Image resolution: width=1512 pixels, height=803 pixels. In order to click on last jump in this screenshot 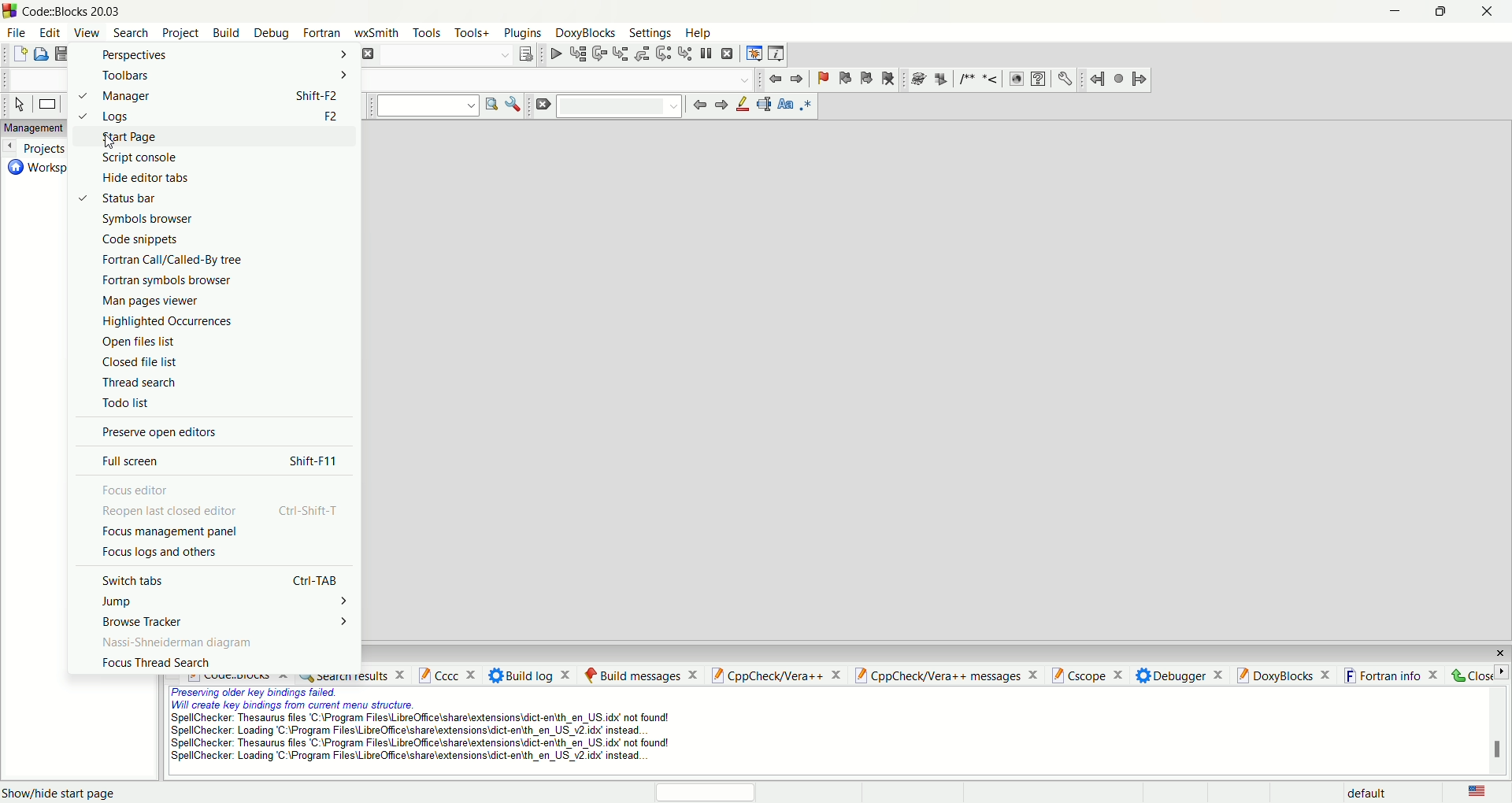, I will do `click(1118, 79)`.